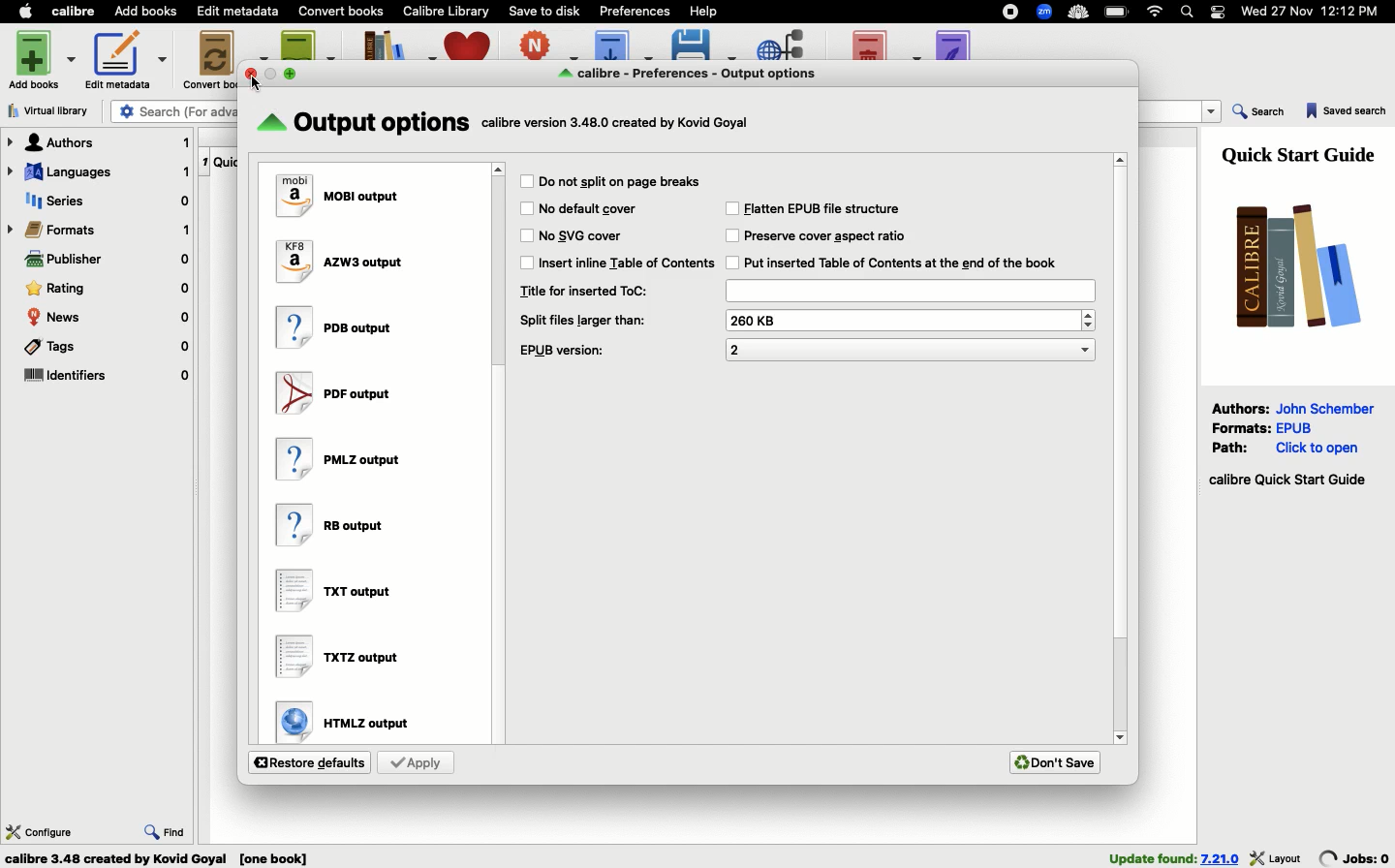 The width and height of the screenshot is (1395, 868). I want to click on Scroll, so click(497, 457).